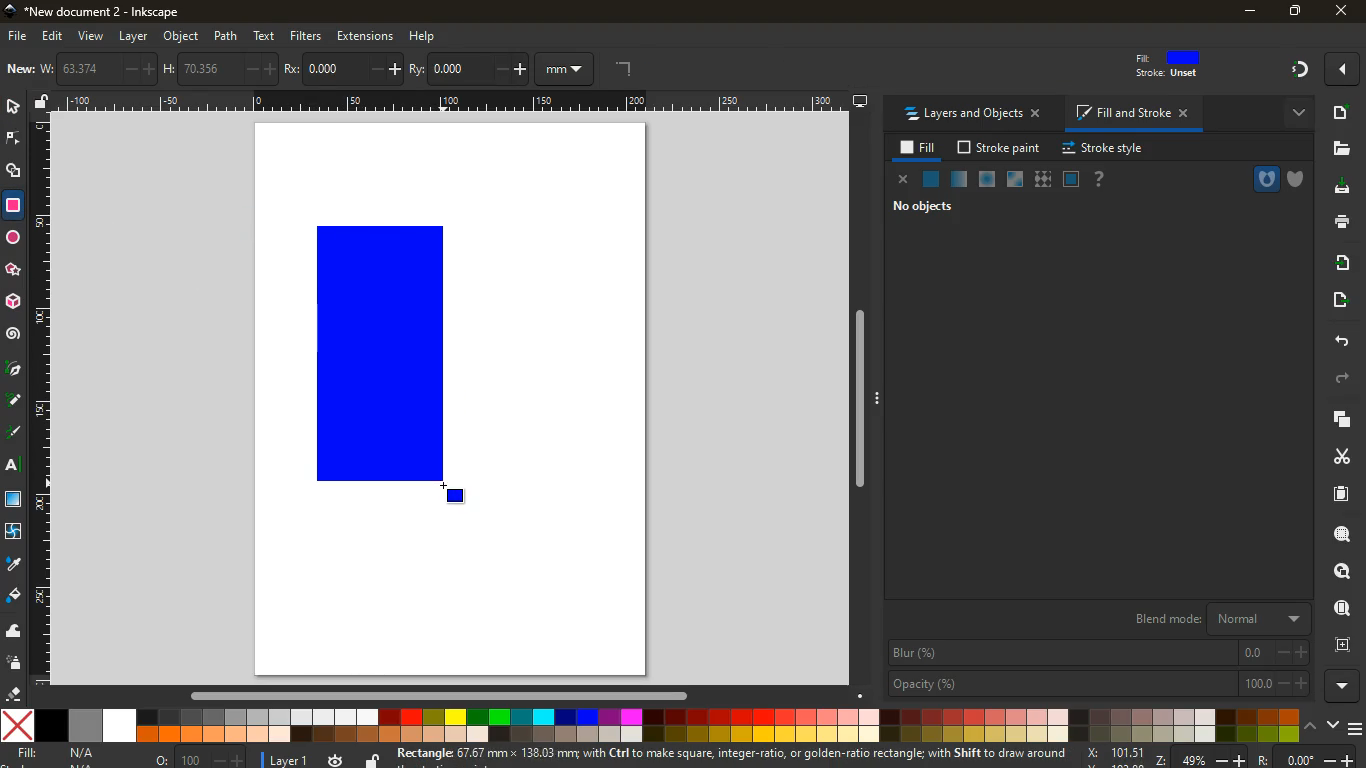  I want to click on fill, so click(918, 151).